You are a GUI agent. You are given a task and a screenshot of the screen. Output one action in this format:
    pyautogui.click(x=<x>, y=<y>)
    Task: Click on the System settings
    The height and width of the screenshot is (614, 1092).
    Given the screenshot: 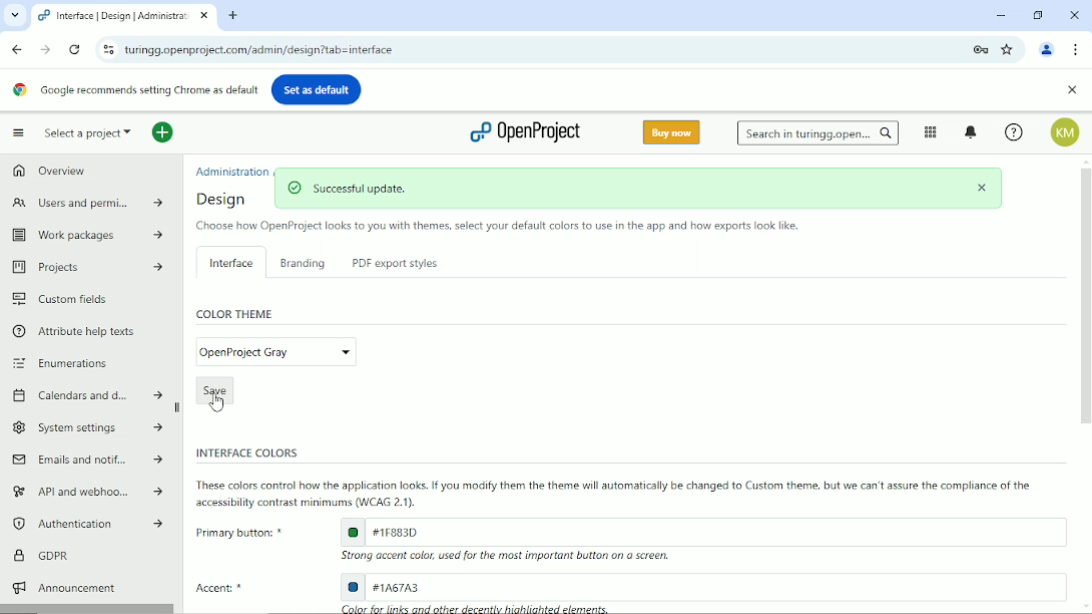 What is the action you would take?
    pyautogui.click(x=87, y=427)
    